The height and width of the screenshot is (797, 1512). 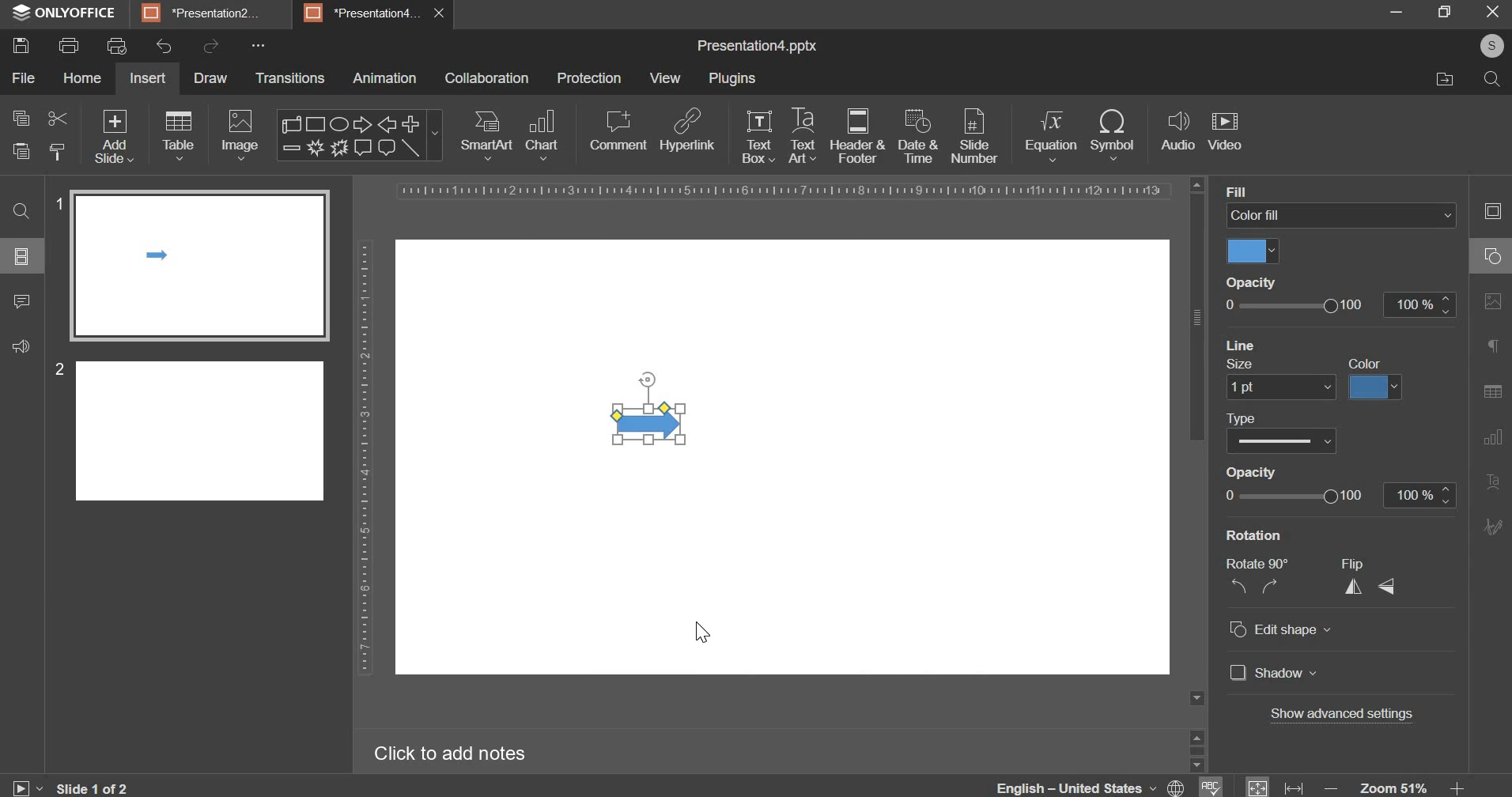 What do you see at coordinates (1370, 582) in the screenshot?
I see `Flip
A <` at bounding box center [1370, 582].